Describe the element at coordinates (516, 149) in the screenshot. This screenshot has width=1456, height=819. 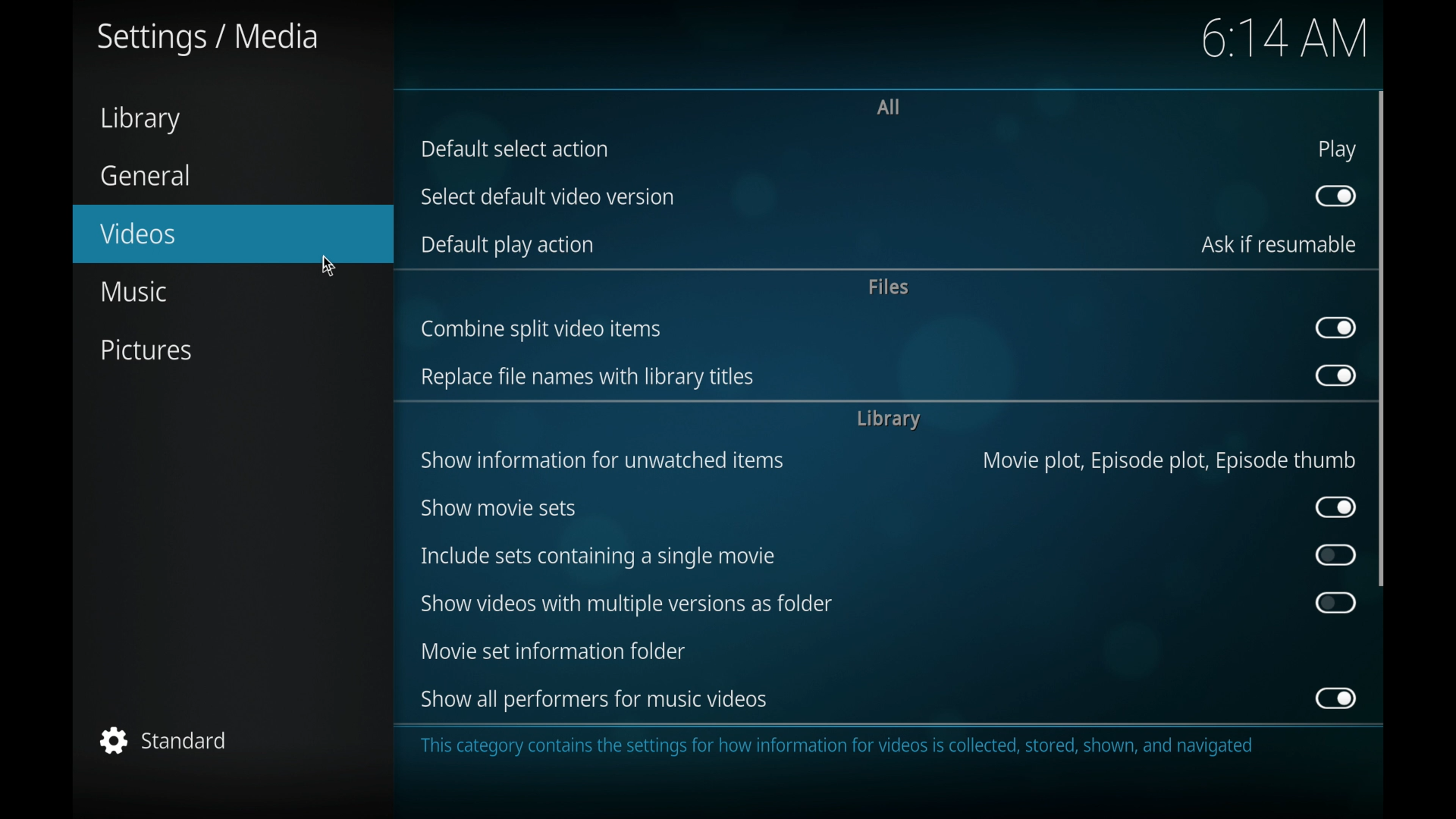
I see `default select action` at that location.